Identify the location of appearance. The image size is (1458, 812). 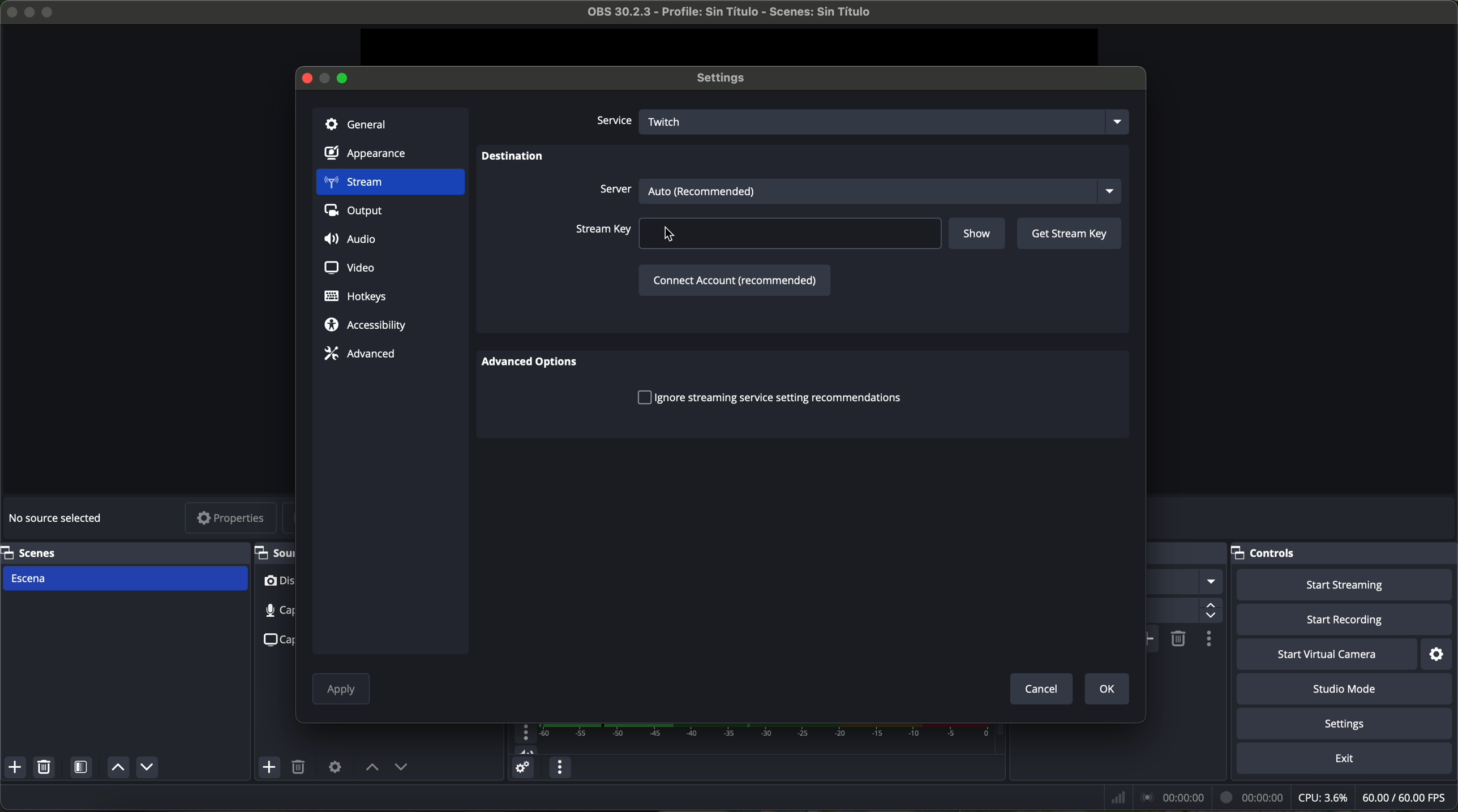
(372, 156).